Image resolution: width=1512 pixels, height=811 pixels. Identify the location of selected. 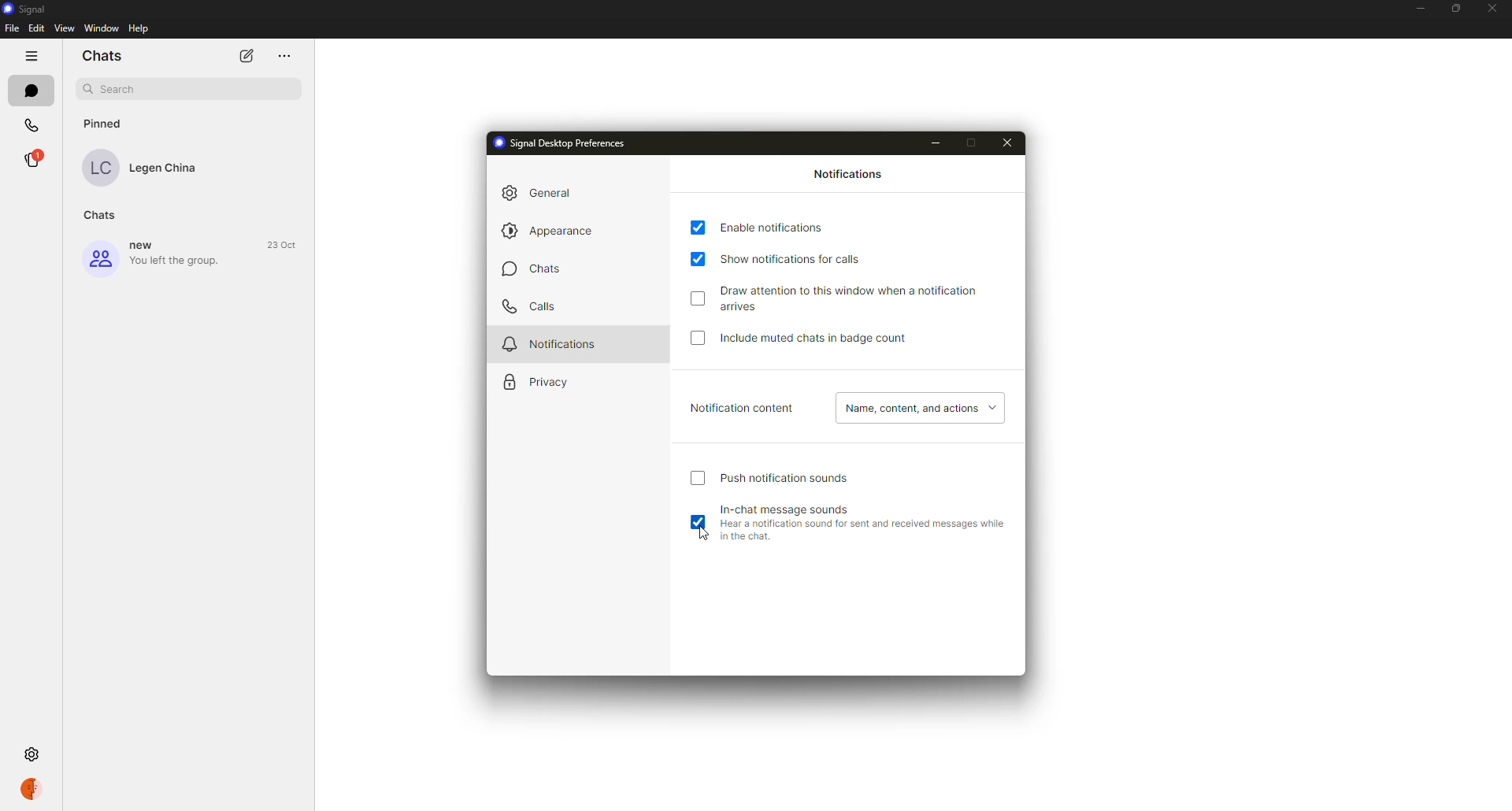
(697, 520).